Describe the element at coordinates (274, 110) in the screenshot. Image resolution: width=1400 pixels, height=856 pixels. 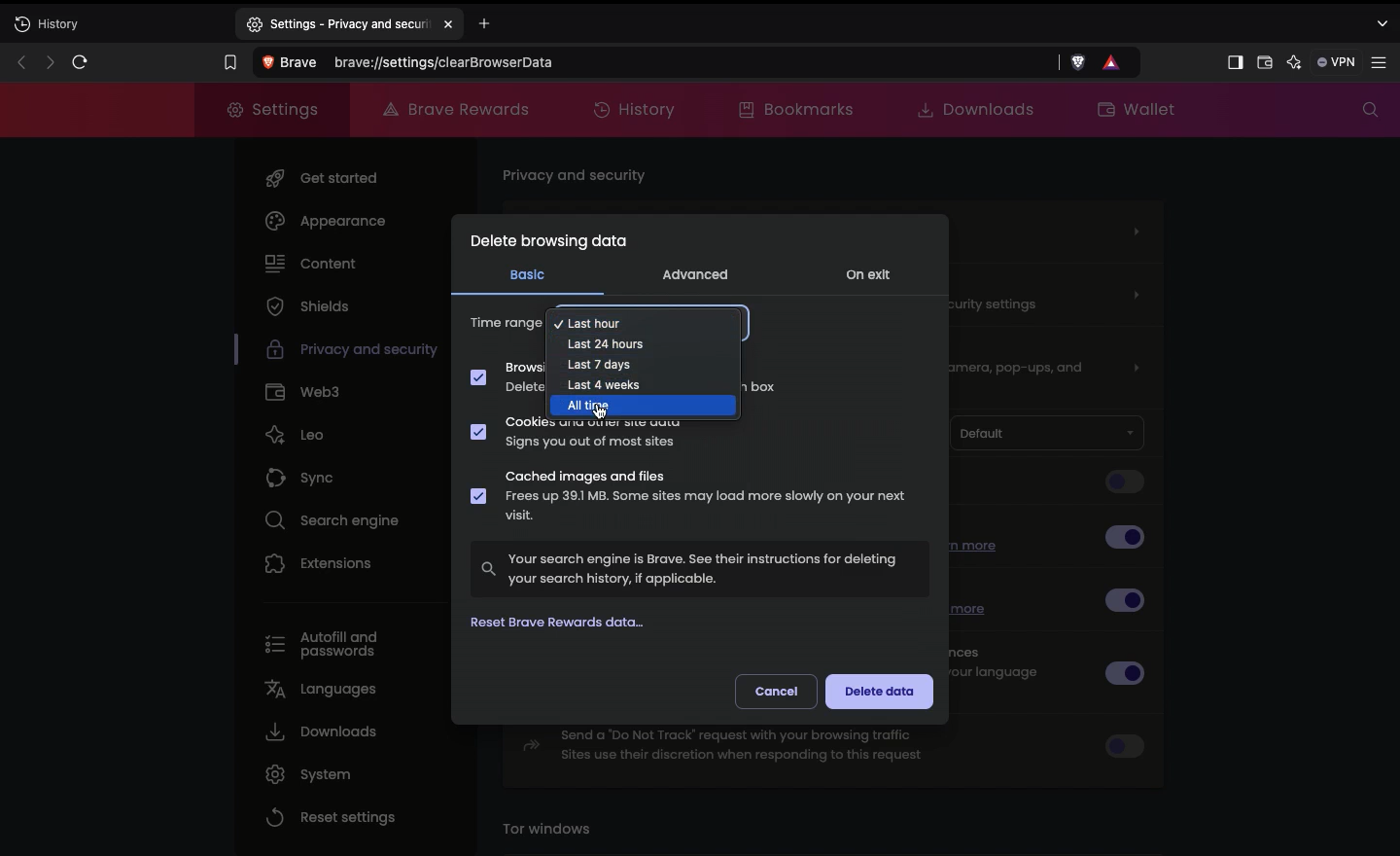
I see `Settings` at that location.